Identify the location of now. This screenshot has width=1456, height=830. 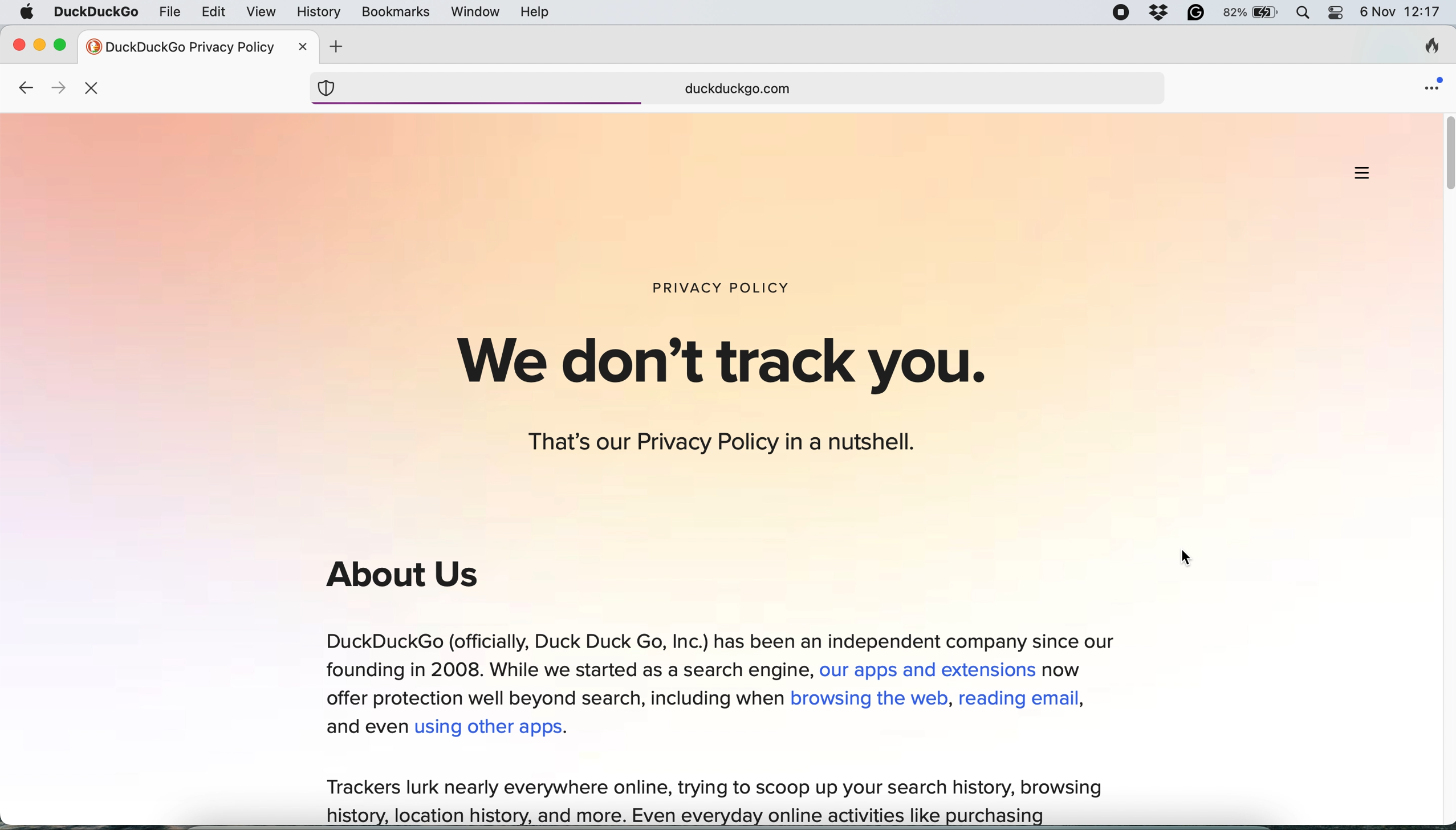
(1065, 672).